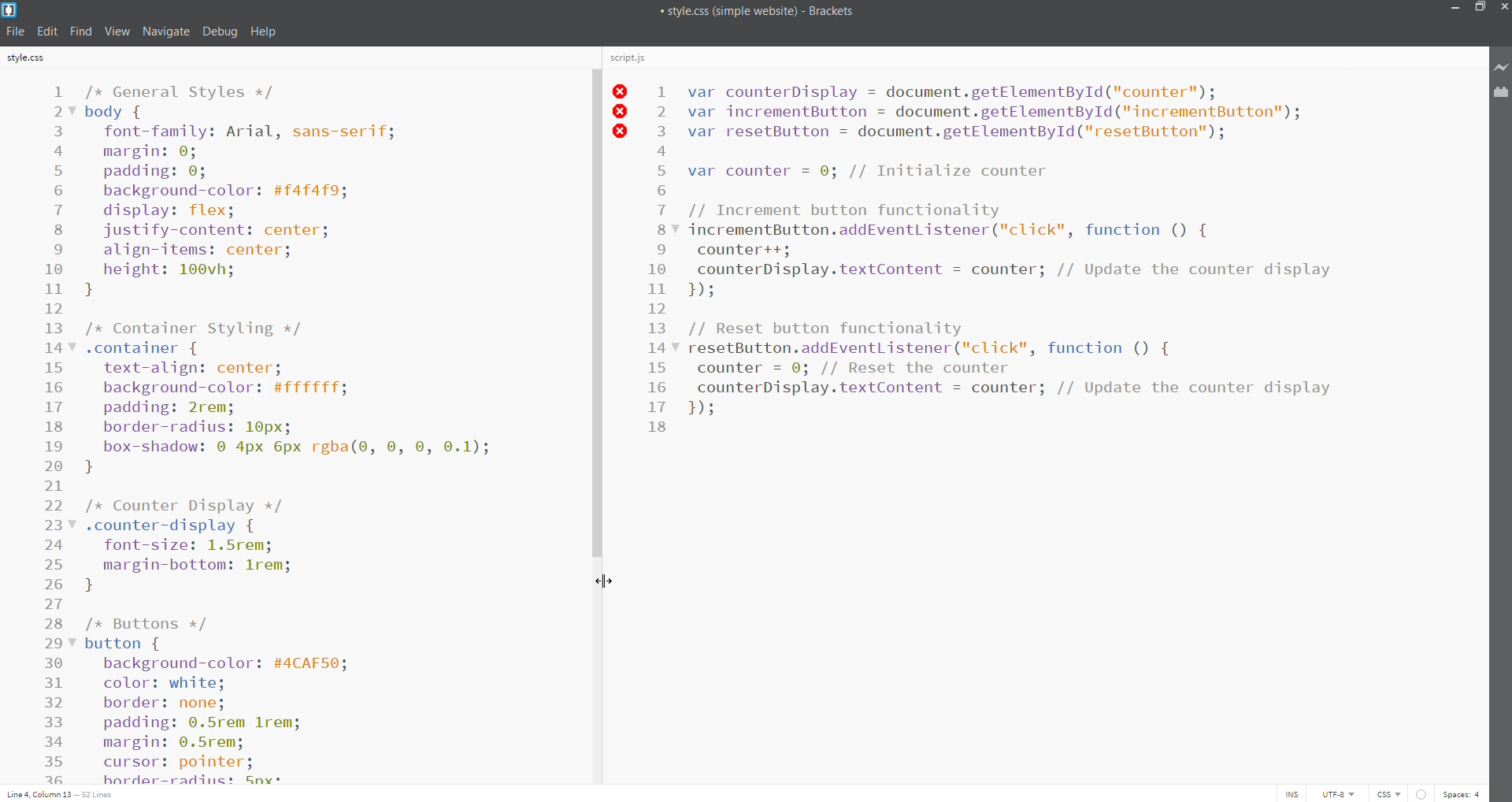 This screenshot has height=802, width=1512. I want to click on script.js, so click(635, 57).